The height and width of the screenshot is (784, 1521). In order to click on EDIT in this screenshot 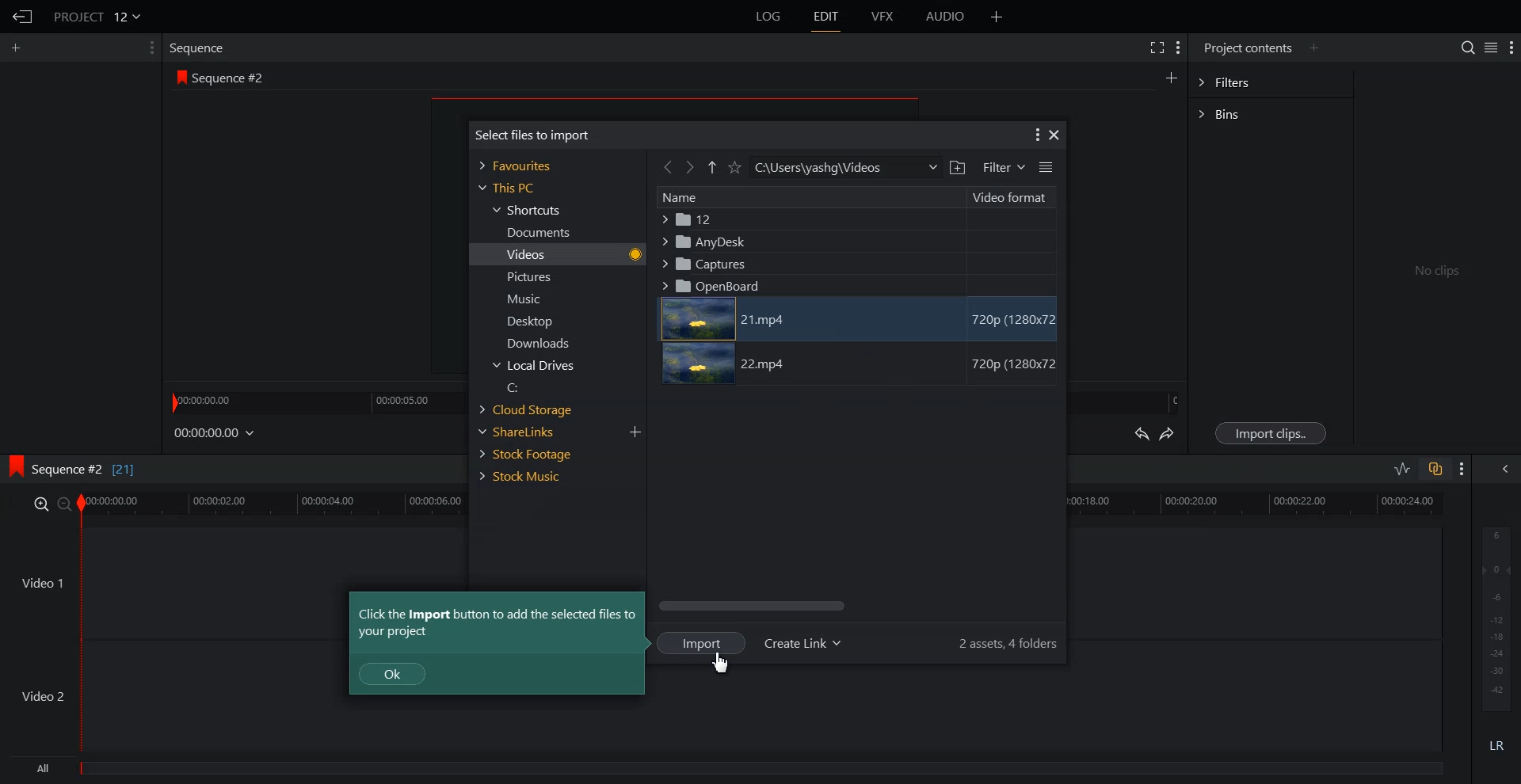, I will do `click(829, 17)`.